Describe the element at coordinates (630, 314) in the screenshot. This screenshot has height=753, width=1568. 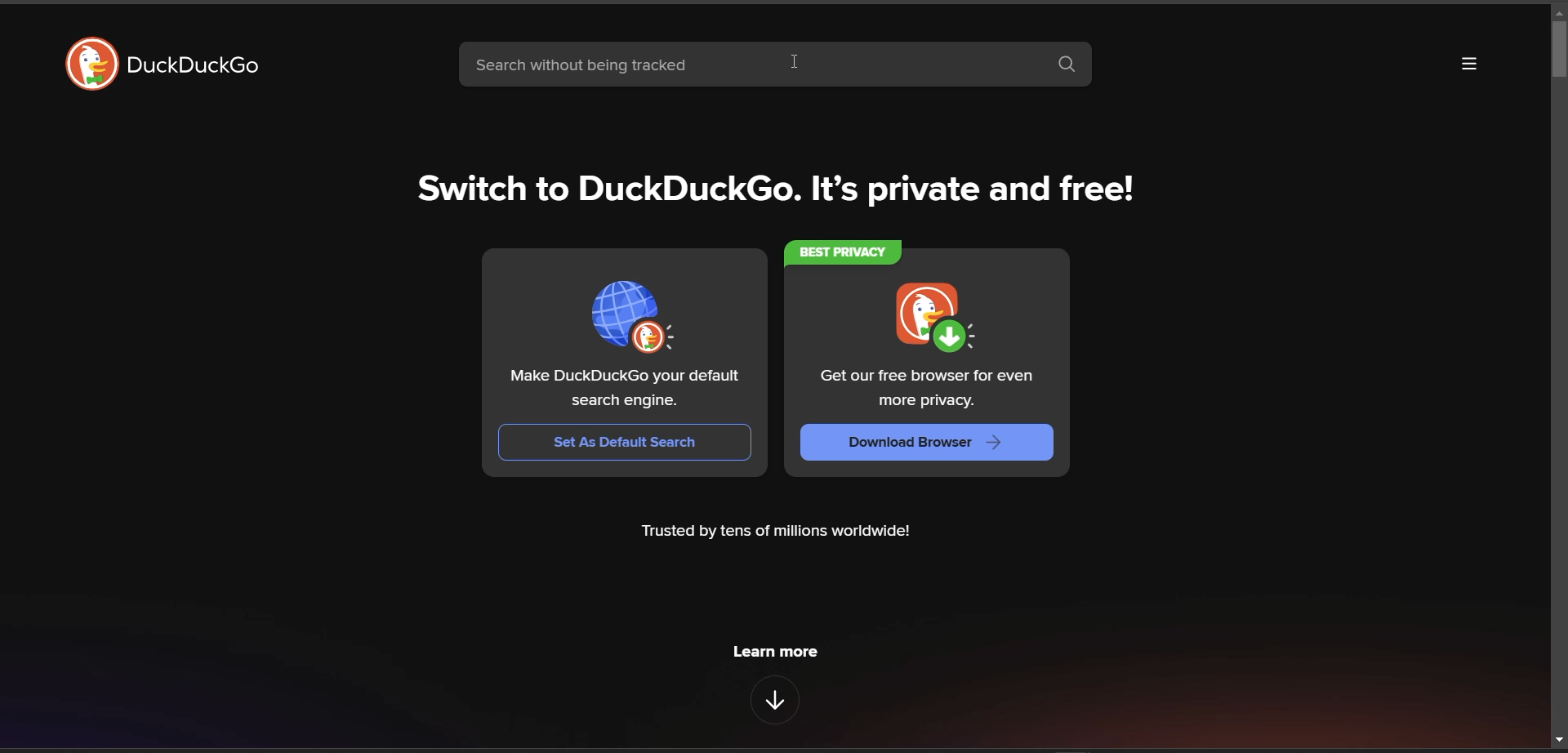
I see `icon` at that location.